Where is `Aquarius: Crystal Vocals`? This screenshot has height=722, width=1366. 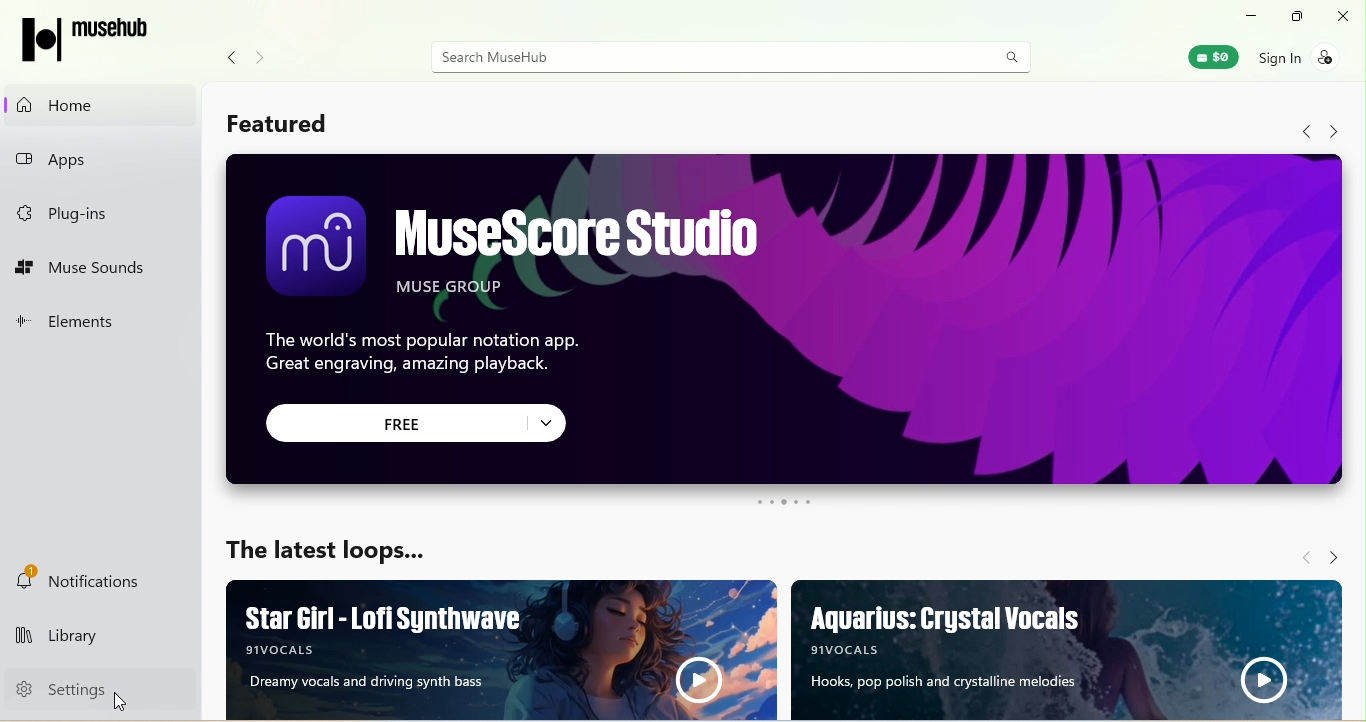
Aquarius: Crystal Vocals is located at coordinates (872, 618).